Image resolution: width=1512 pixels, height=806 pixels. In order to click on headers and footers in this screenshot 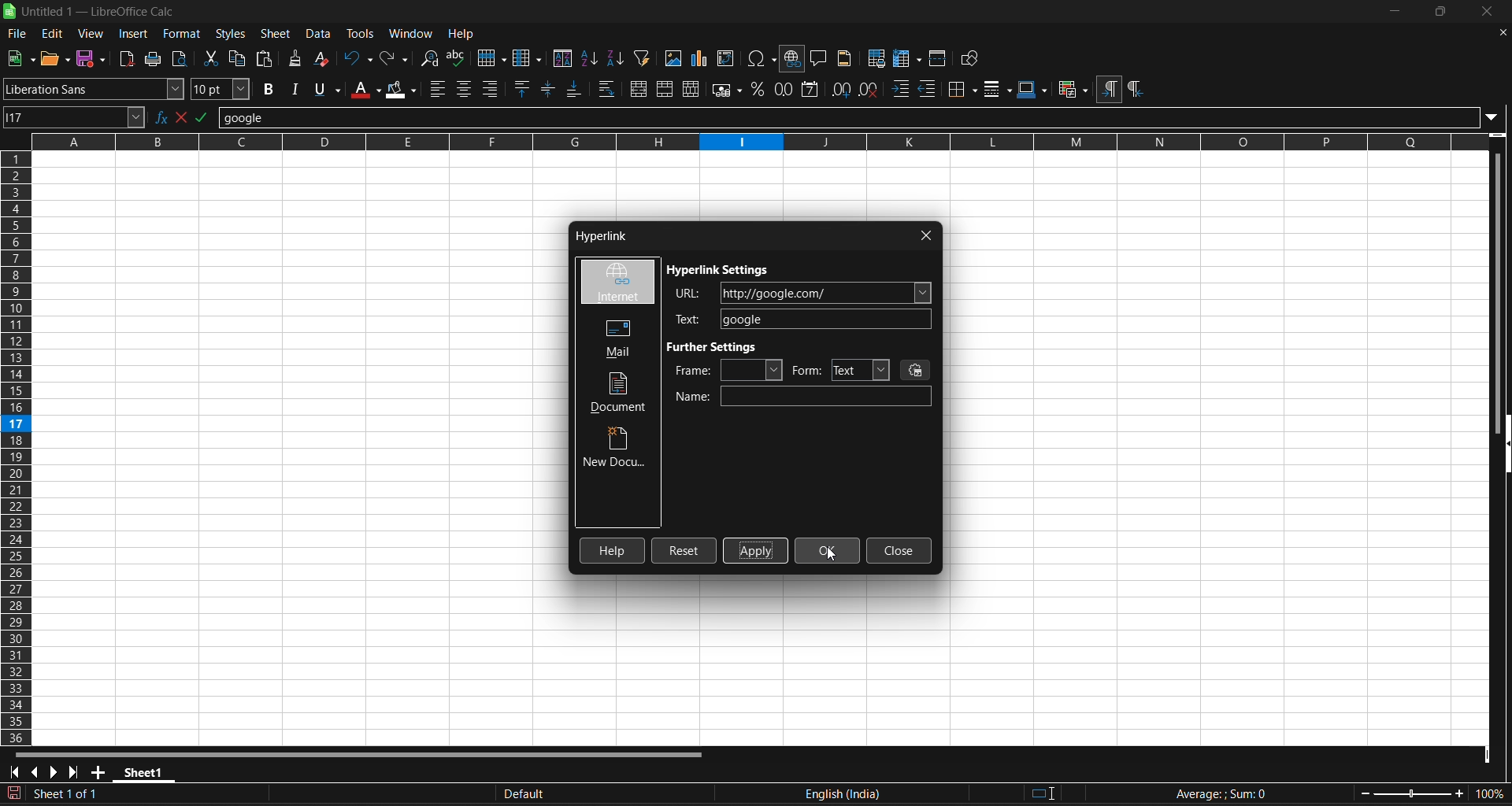, I will do `click(847, 58)`.